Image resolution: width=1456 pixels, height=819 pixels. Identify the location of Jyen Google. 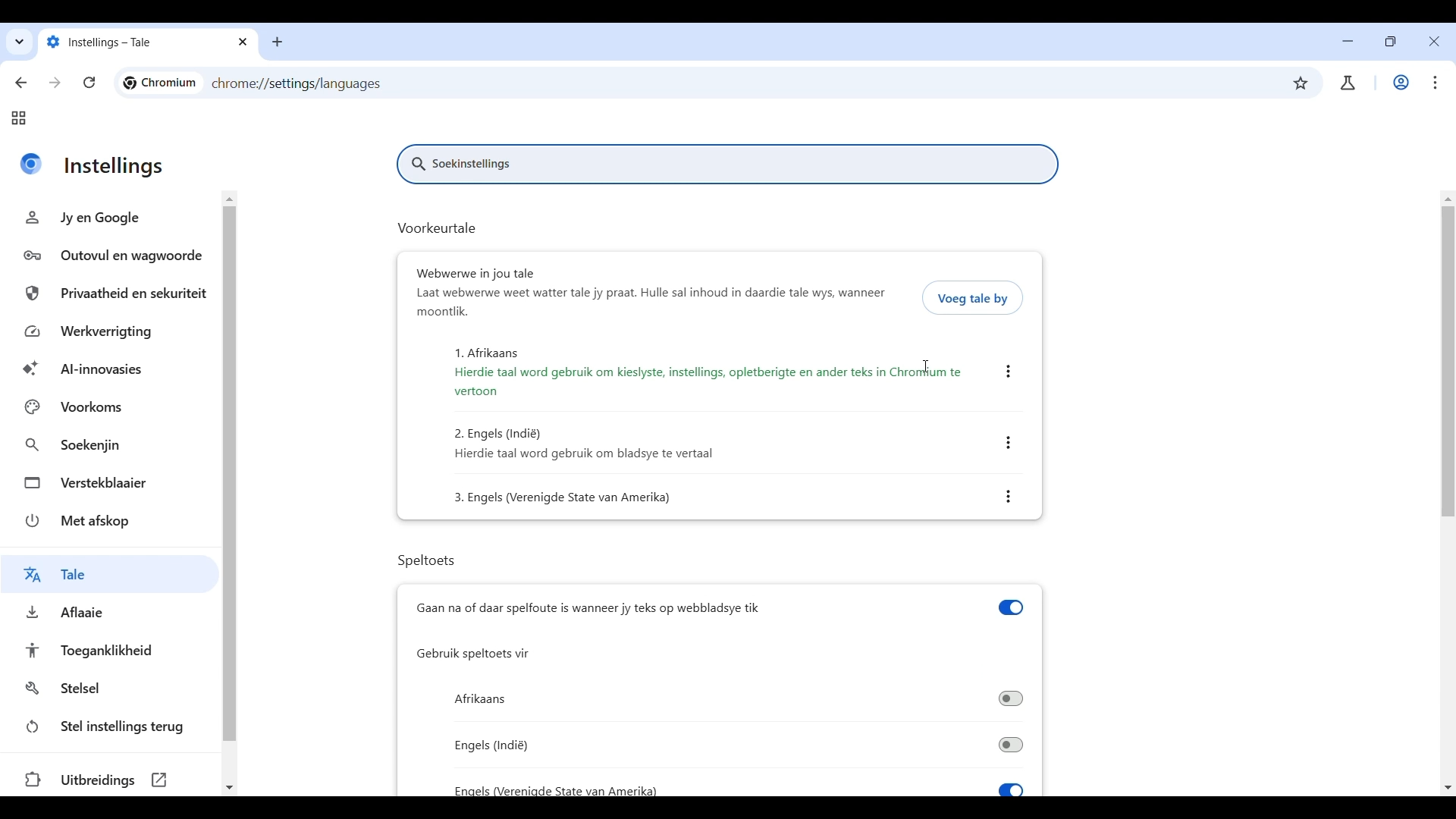
(86, 216).